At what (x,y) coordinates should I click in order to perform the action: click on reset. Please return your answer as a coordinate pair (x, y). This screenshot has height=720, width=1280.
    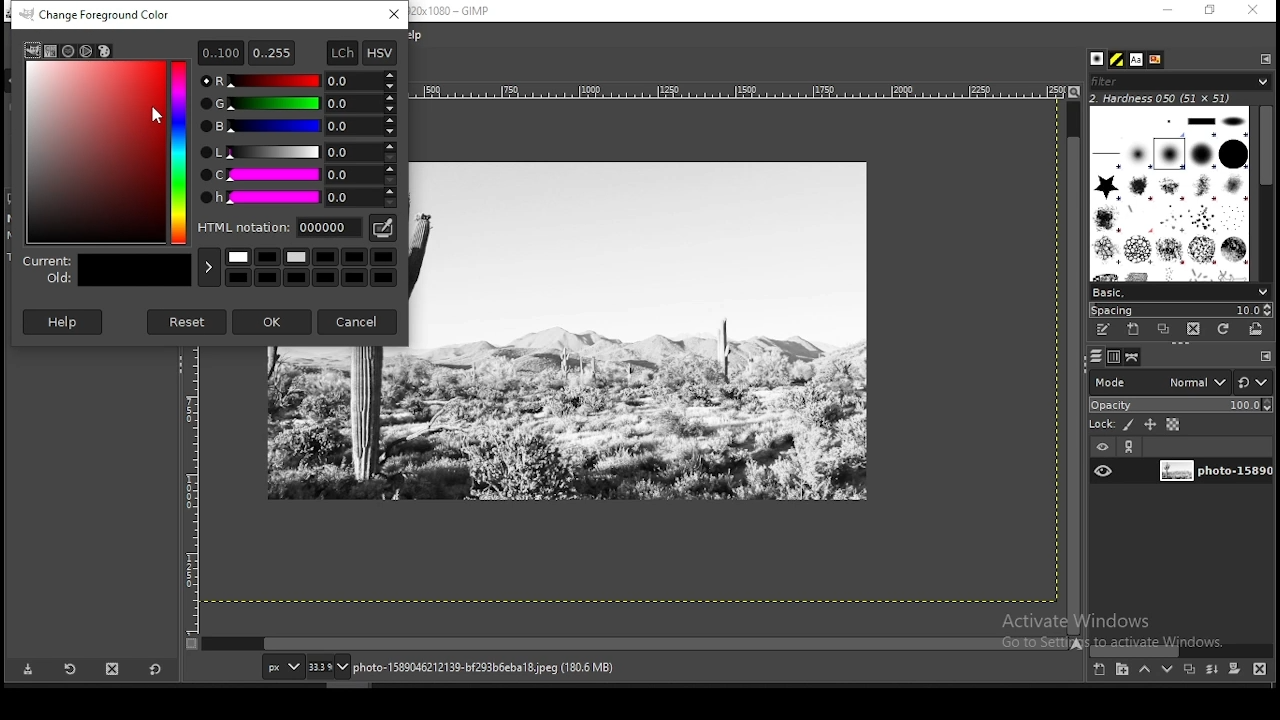
    Looking at the image, I should click on (189, 322).